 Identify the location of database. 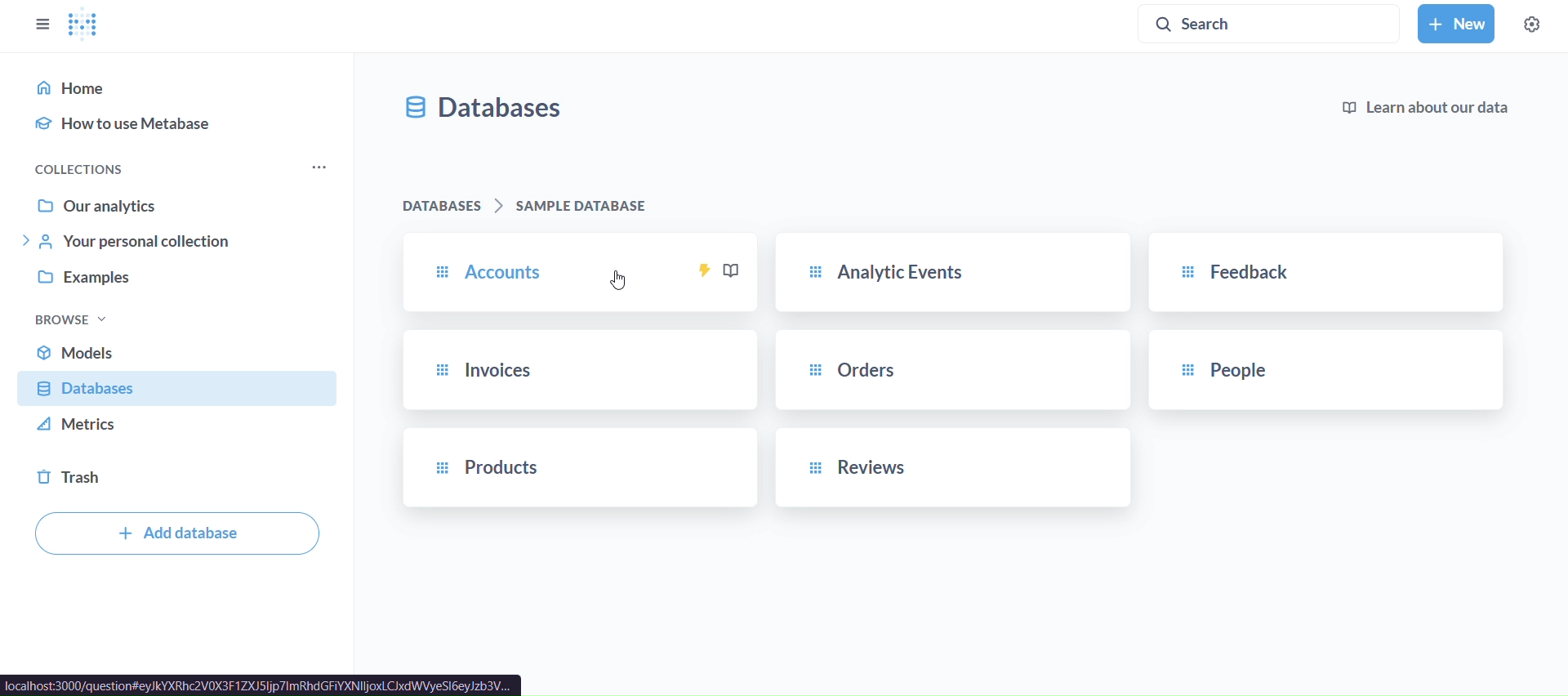
(180, 390).